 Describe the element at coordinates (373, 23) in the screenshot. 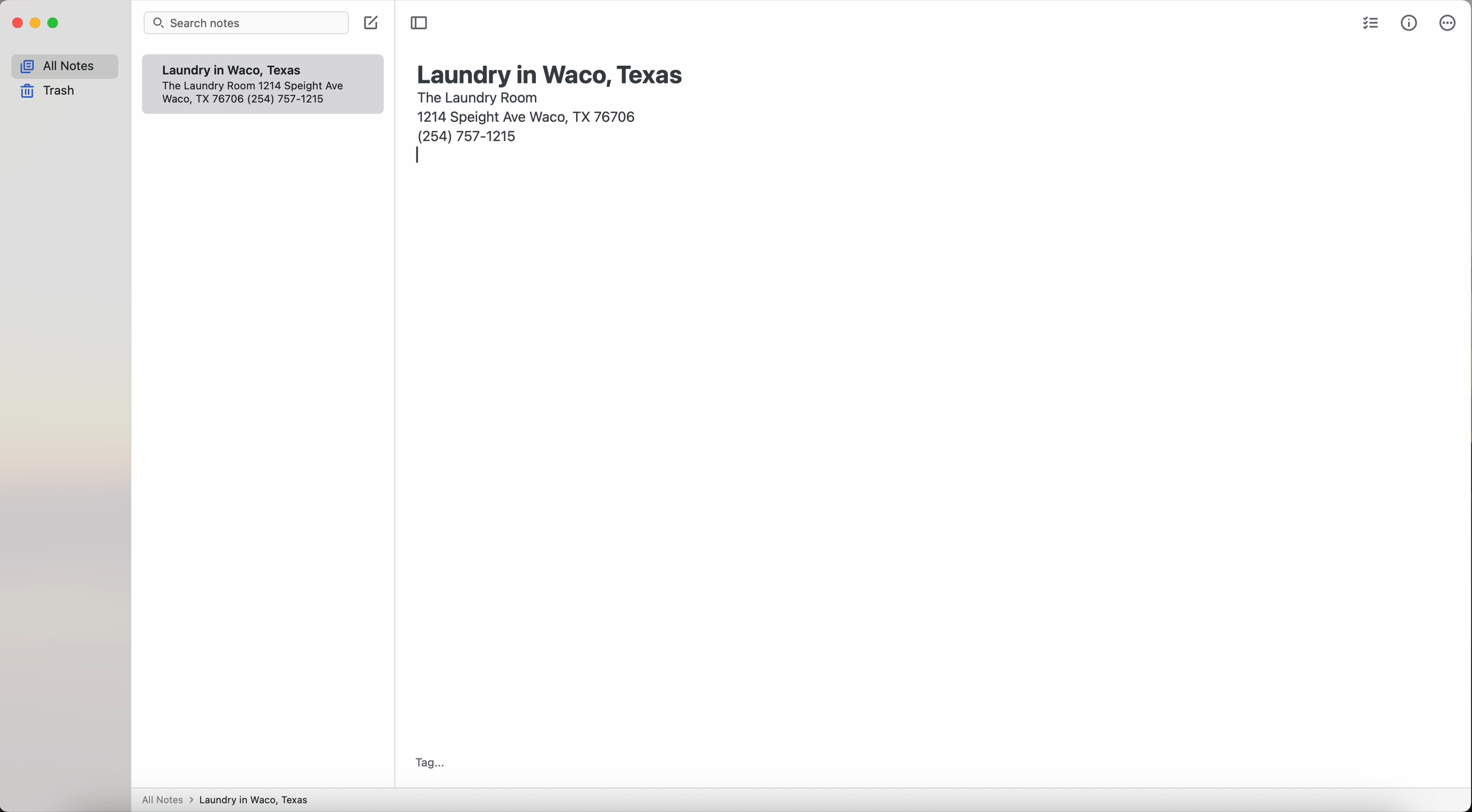

I see `click on create note` at that location.